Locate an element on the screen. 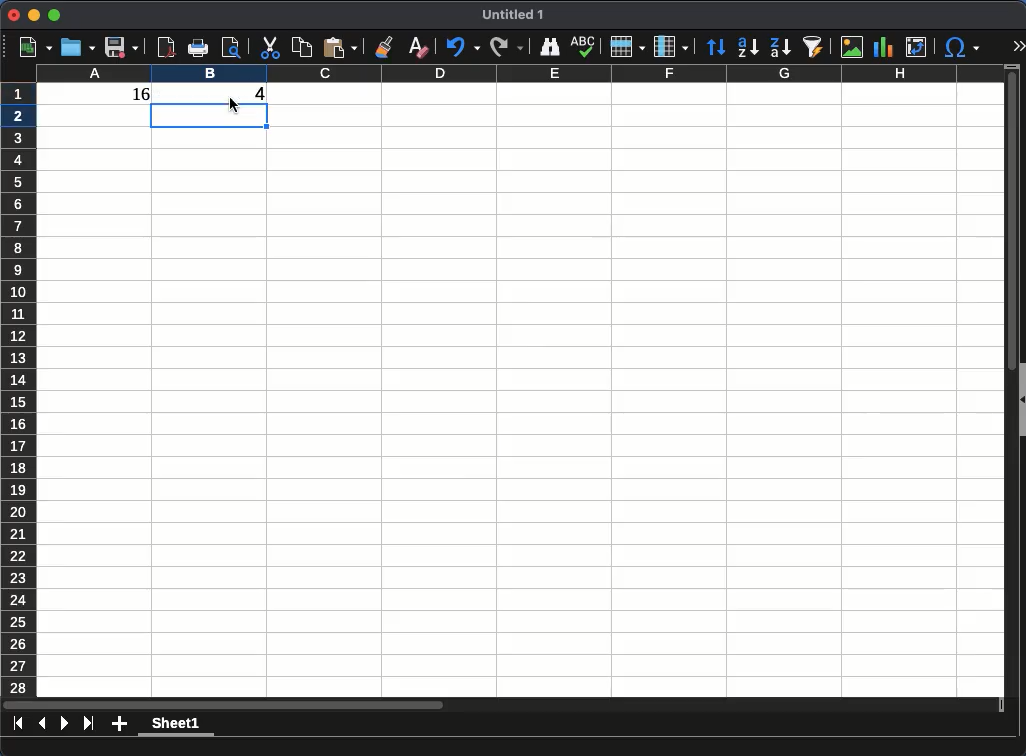  column is located at coordinates (517, 74).